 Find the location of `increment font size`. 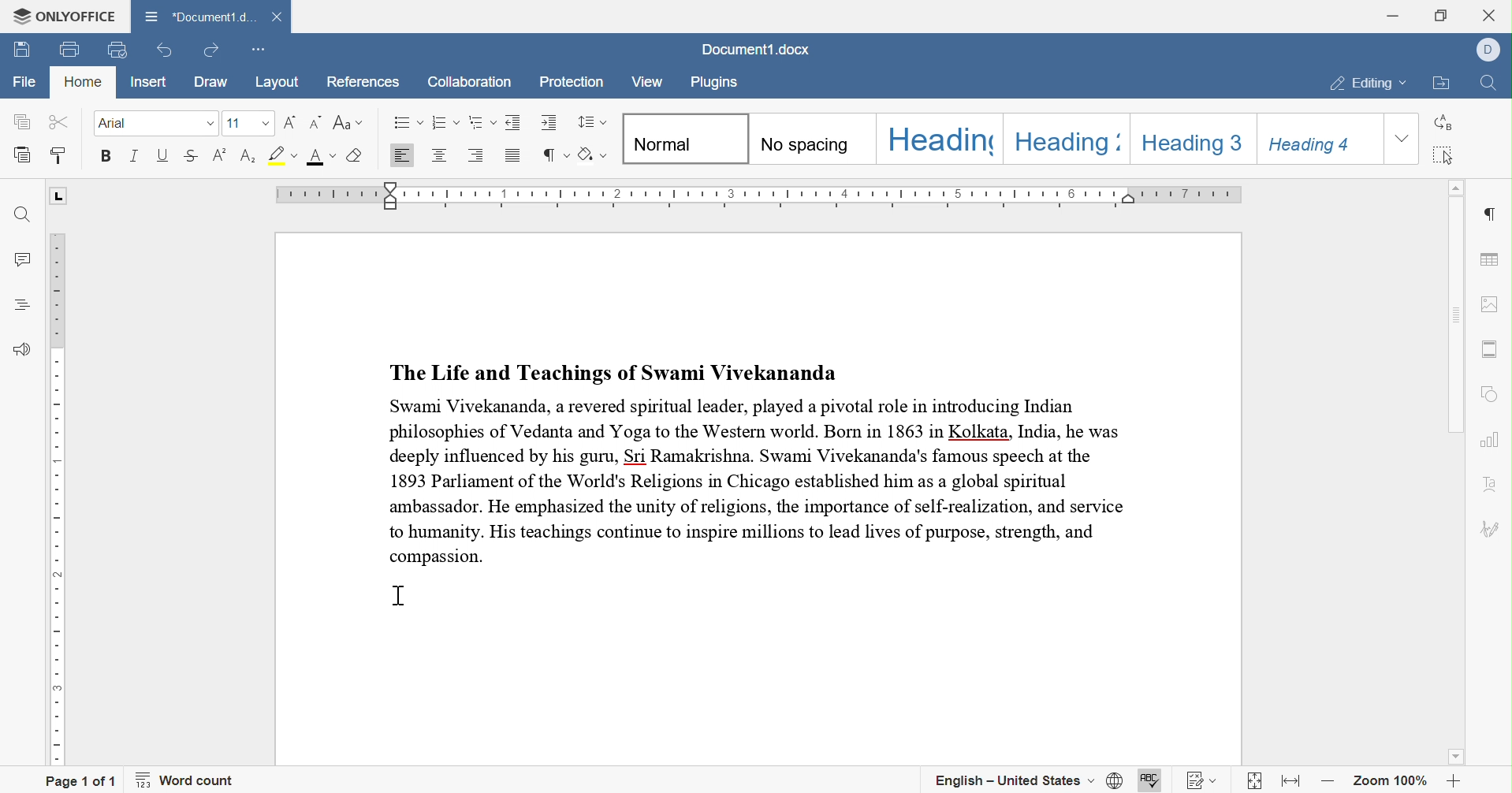

increment font size is located at coordinates (289, 123).